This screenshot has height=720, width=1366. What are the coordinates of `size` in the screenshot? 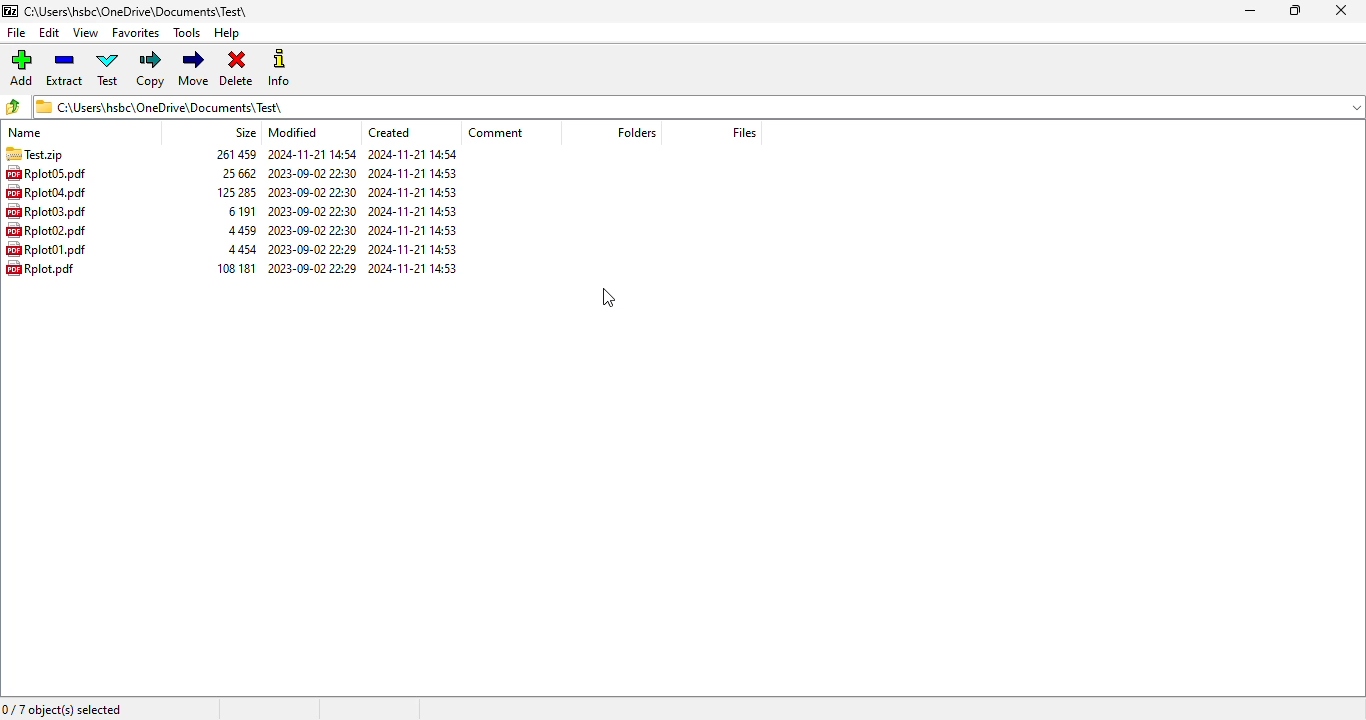 It's located at (238, 191).